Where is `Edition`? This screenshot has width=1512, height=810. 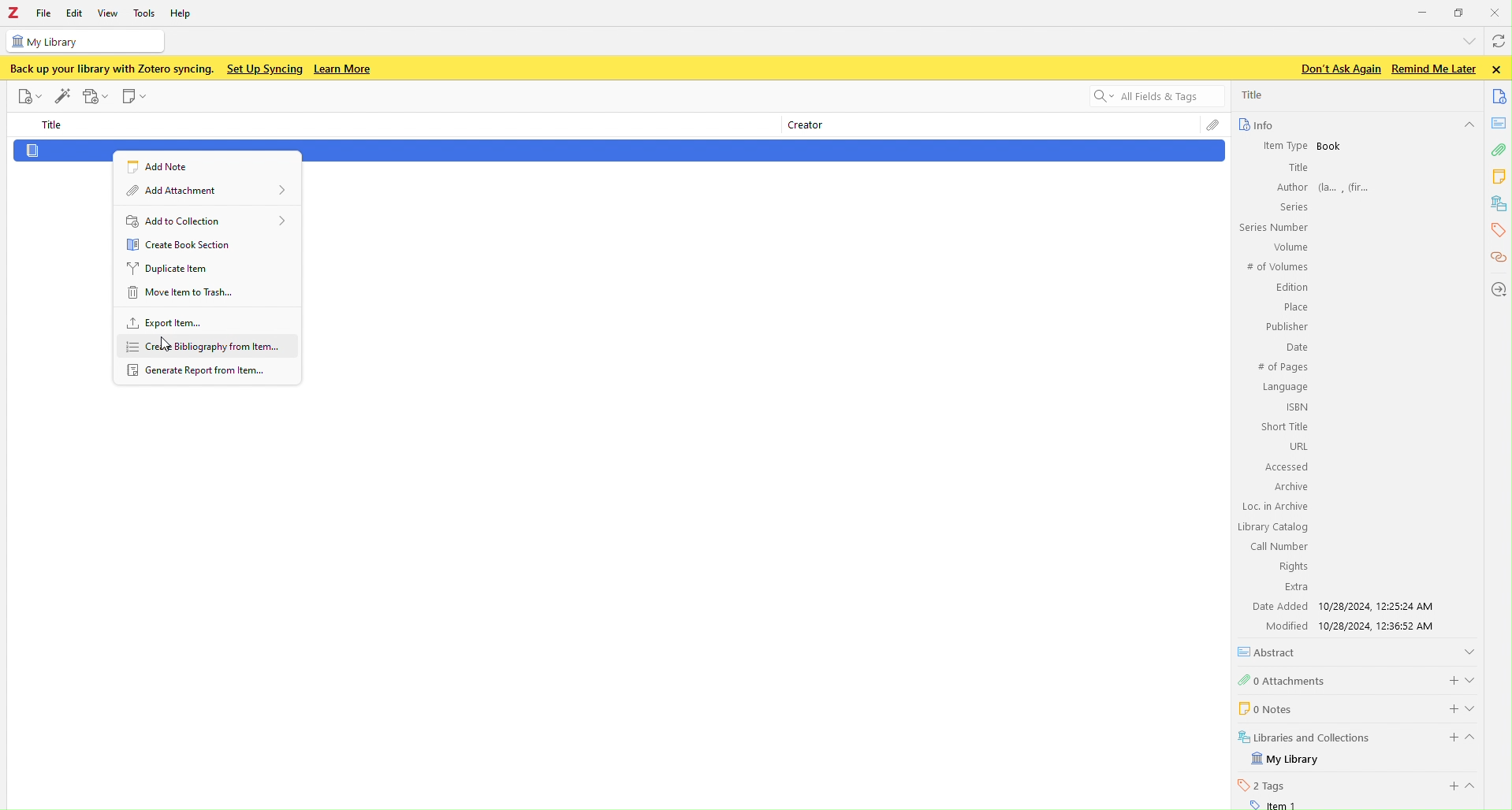 Edition is located at coordinates (1292, 288).